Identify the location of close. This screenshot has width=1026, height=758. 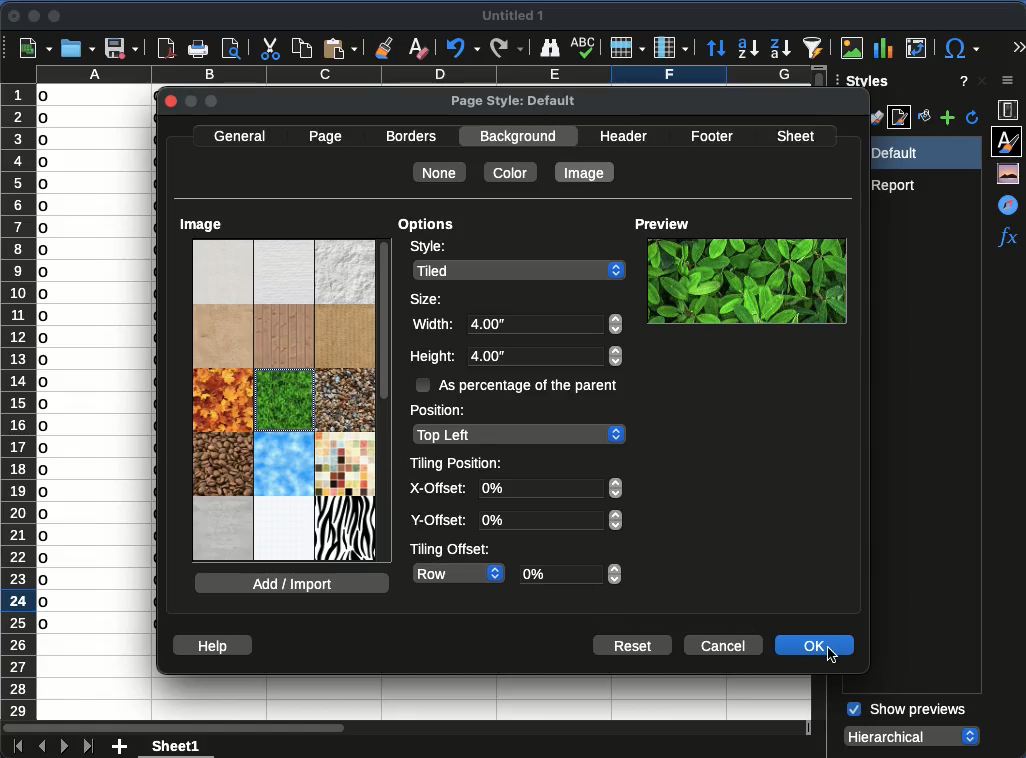
(982, 81).